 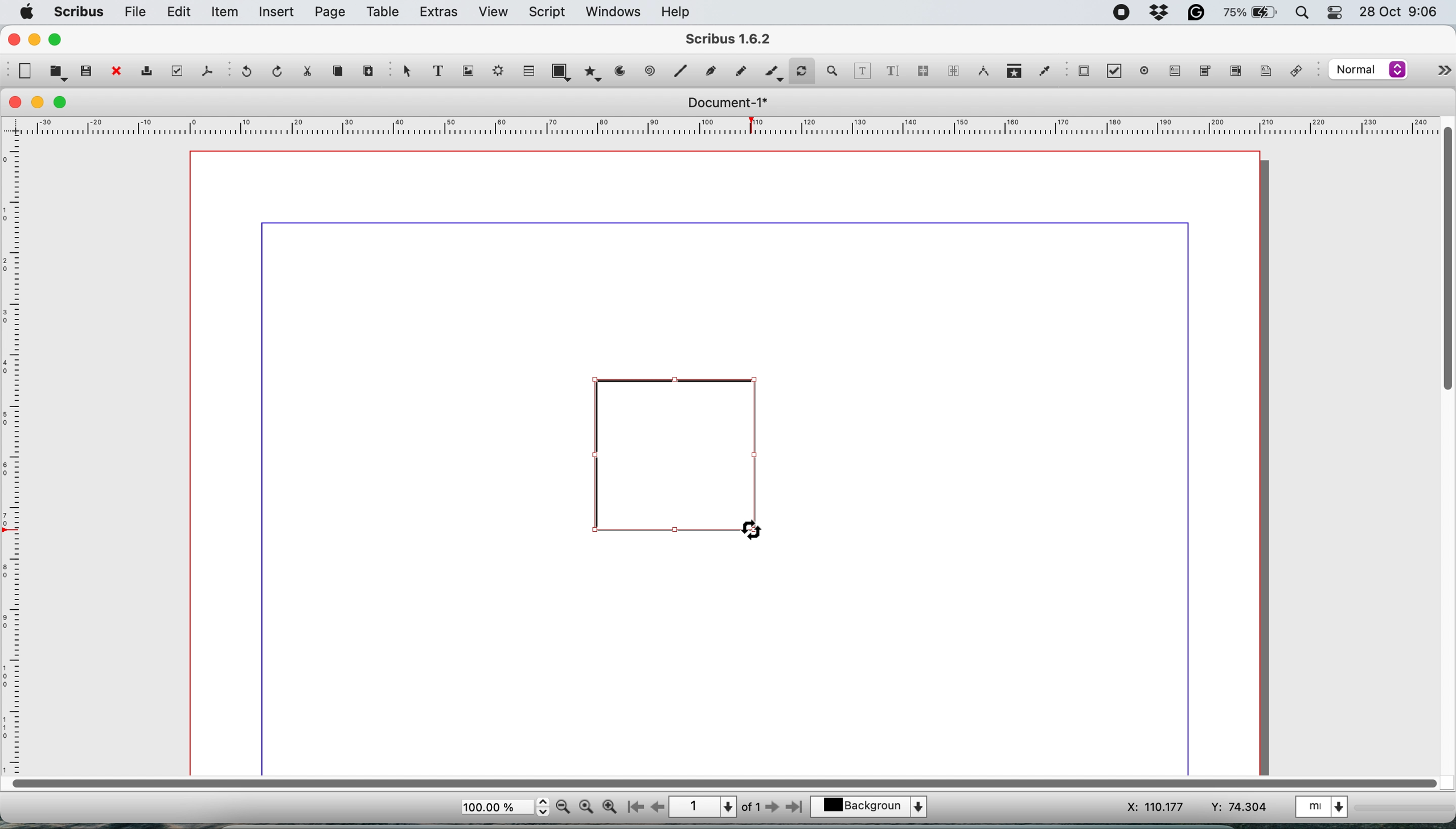 What do you see at coordinates (1396, 11) in the screenshot?
I see `28 Oct 9:06` at bounding box center [1396, 11].